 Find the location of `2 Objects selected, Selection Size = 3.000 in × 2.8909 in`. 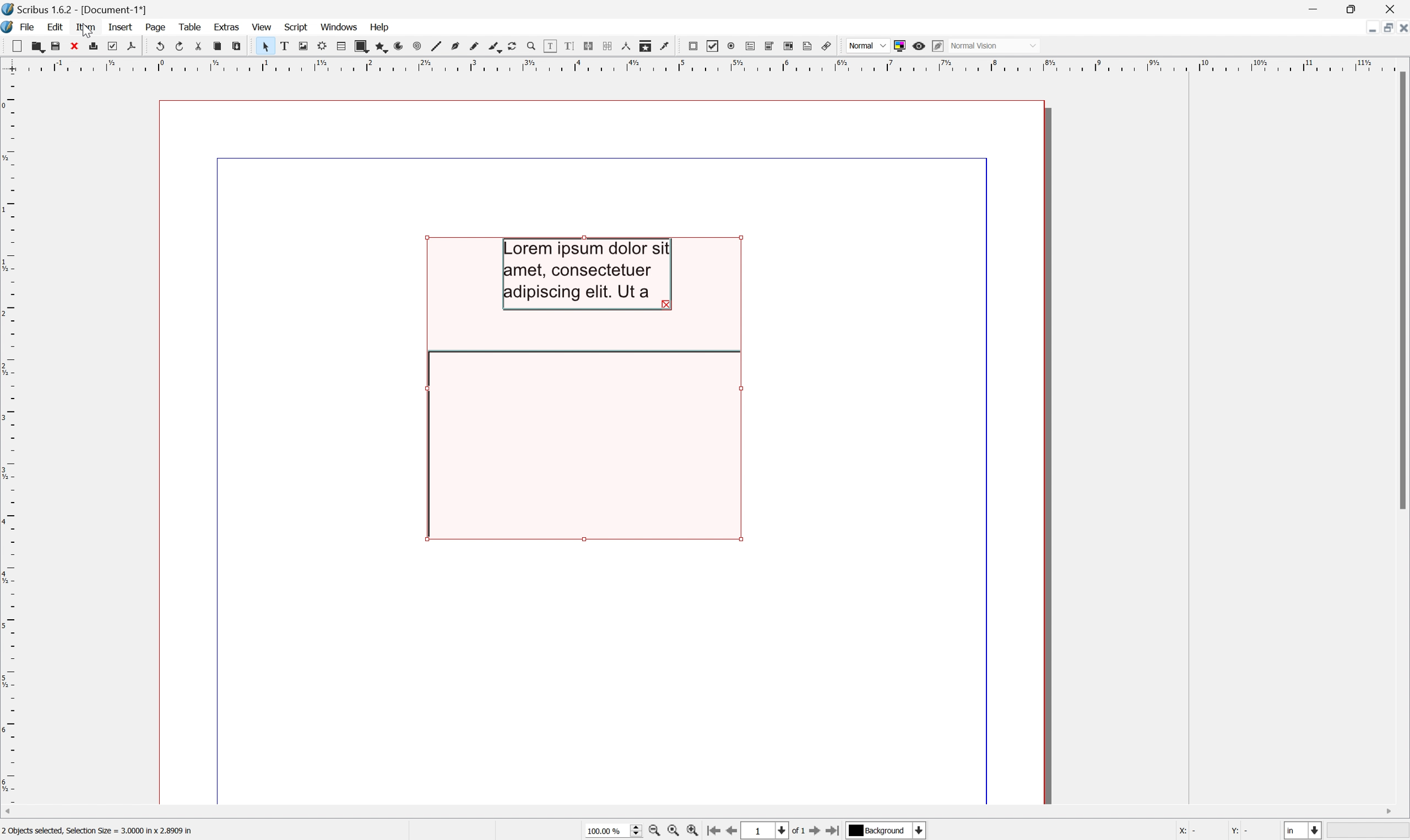

2 Objects selected, Selection Size = 3.000 in × 2.8909 in is located at coordinates (99, 832).